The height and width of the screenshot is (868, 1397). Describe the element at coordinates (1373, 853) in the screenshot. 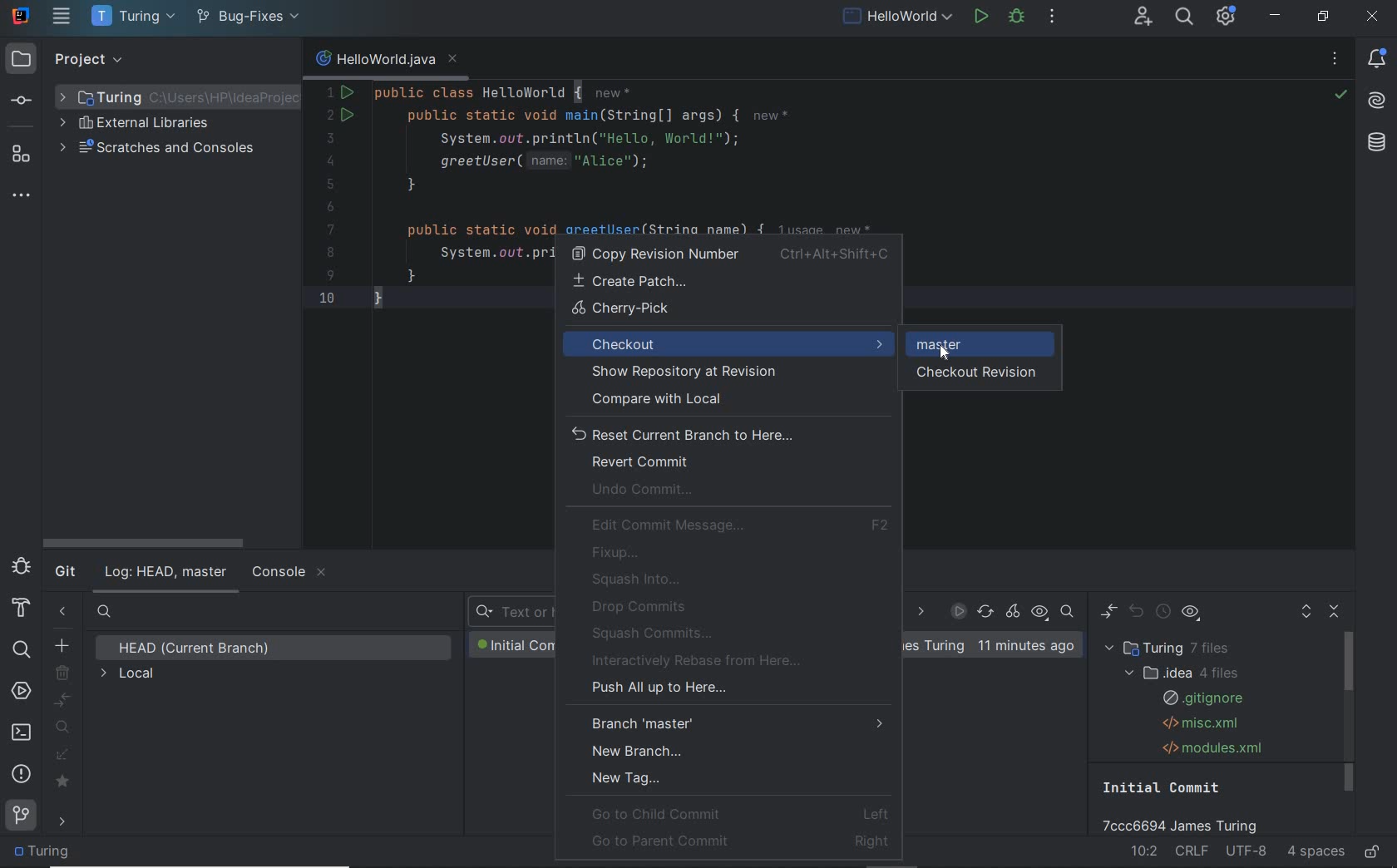

I see `make file ready only` at that location.